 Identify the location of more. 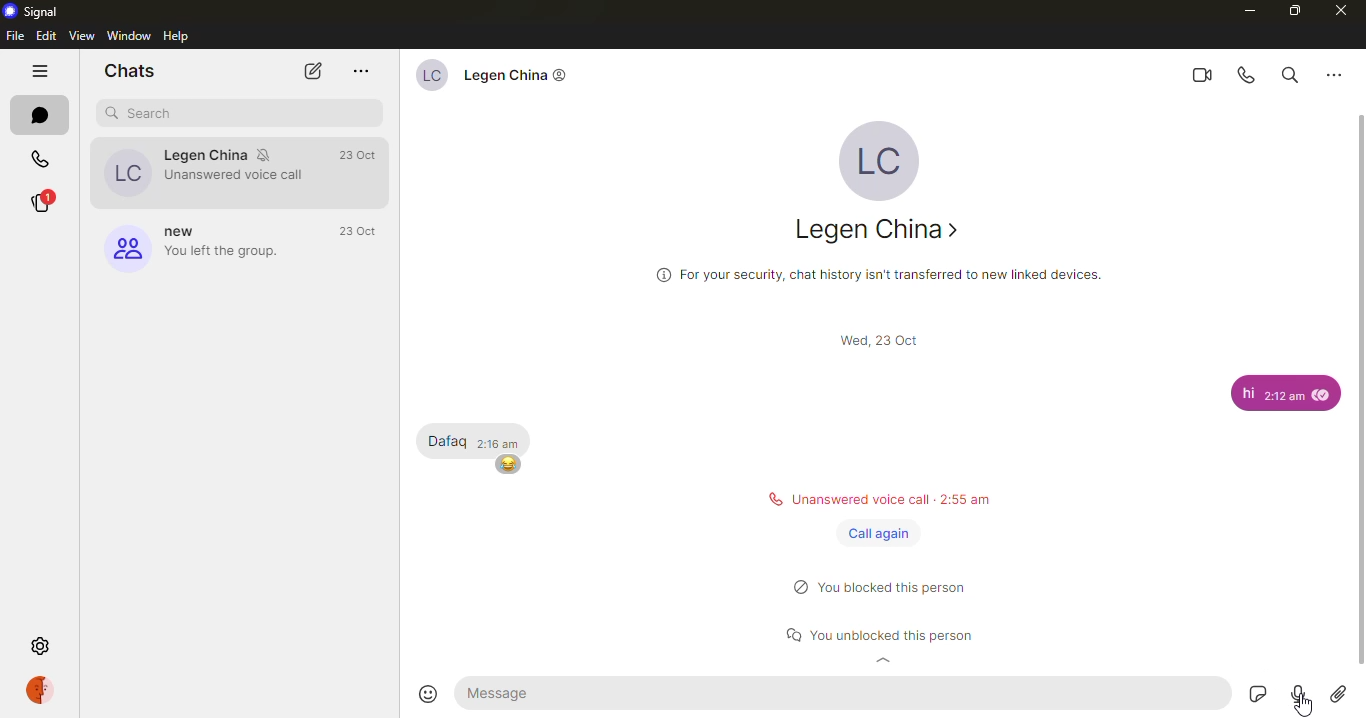
(1335, 71).